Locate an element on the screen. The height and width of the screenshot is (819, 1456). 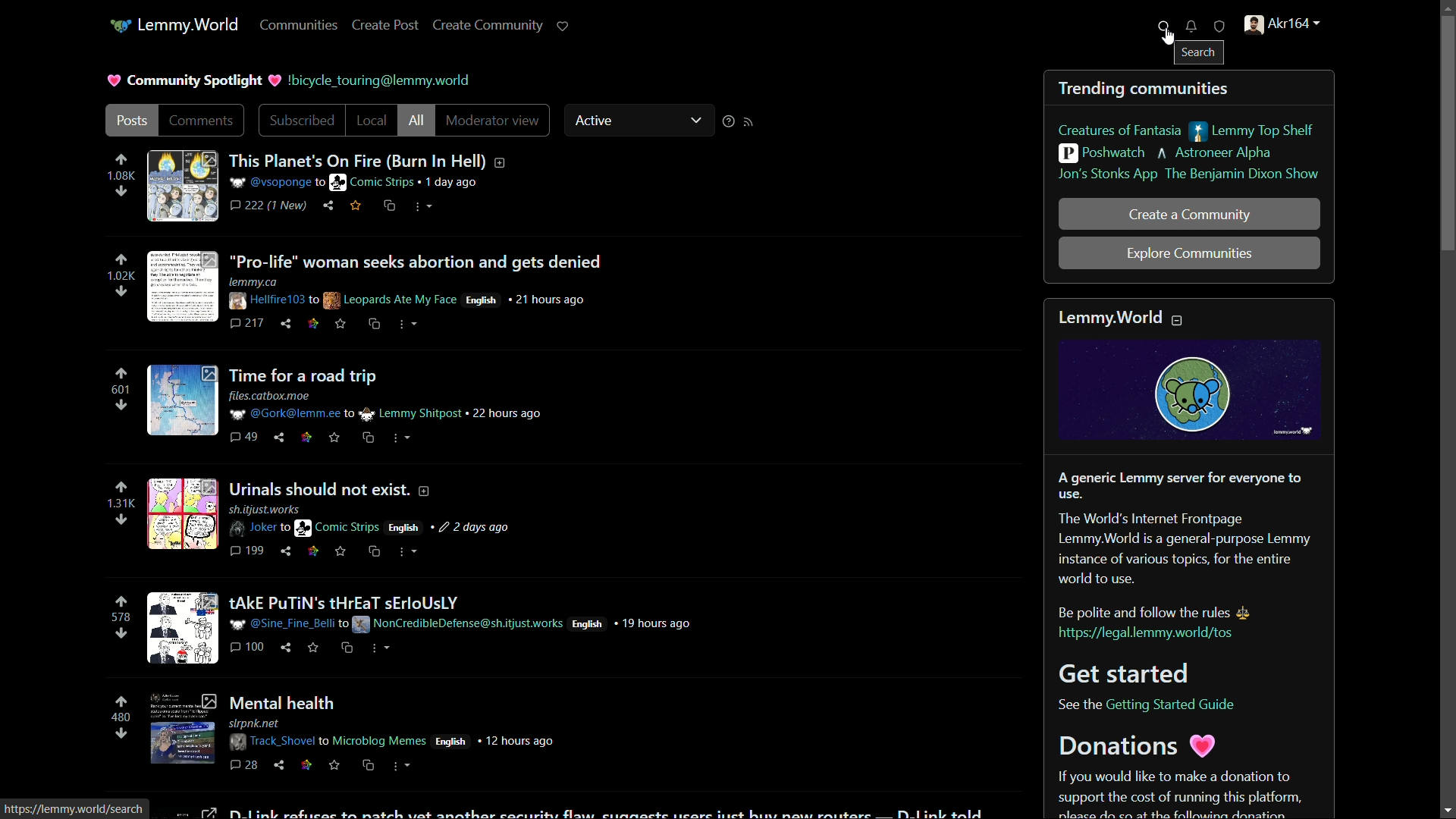
number of votes is located at coordinates (120, 277).